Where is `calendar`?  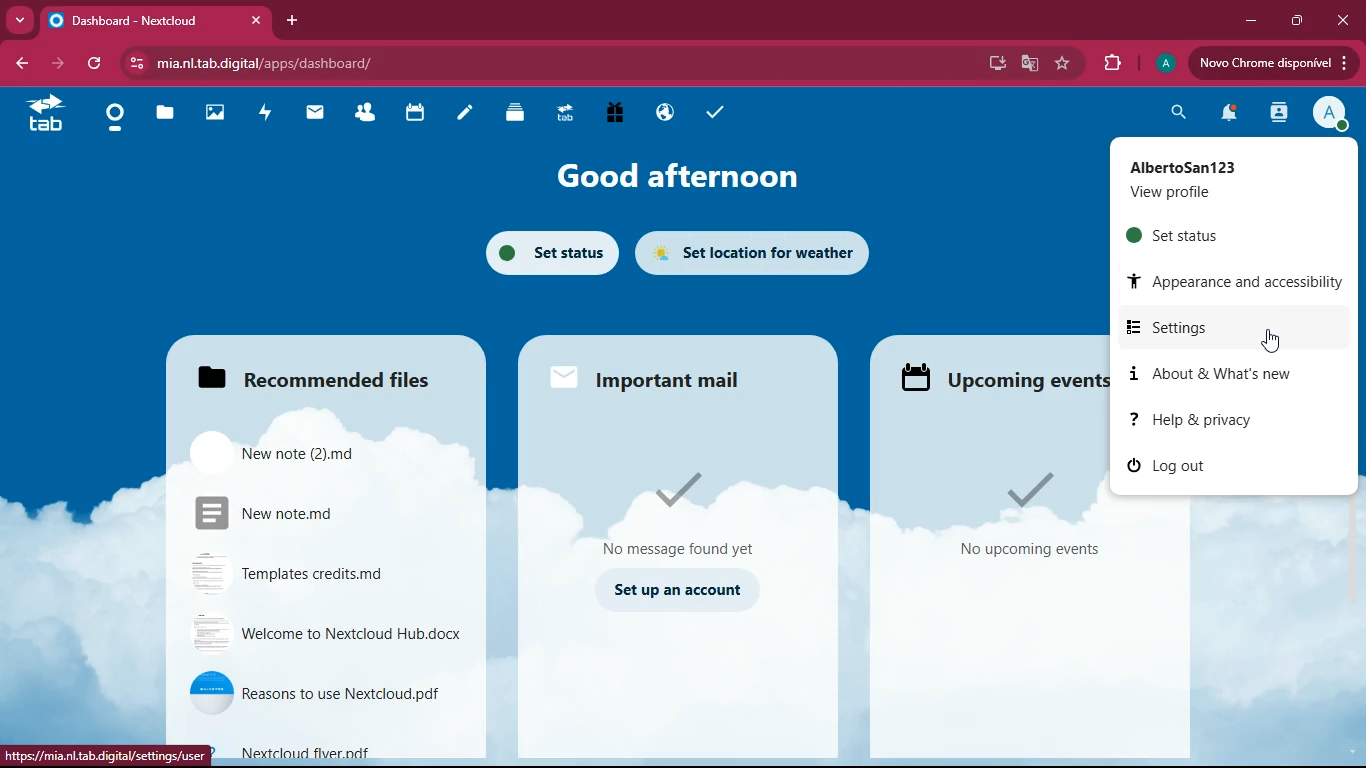
calendar is located at coordinates (415, 115).